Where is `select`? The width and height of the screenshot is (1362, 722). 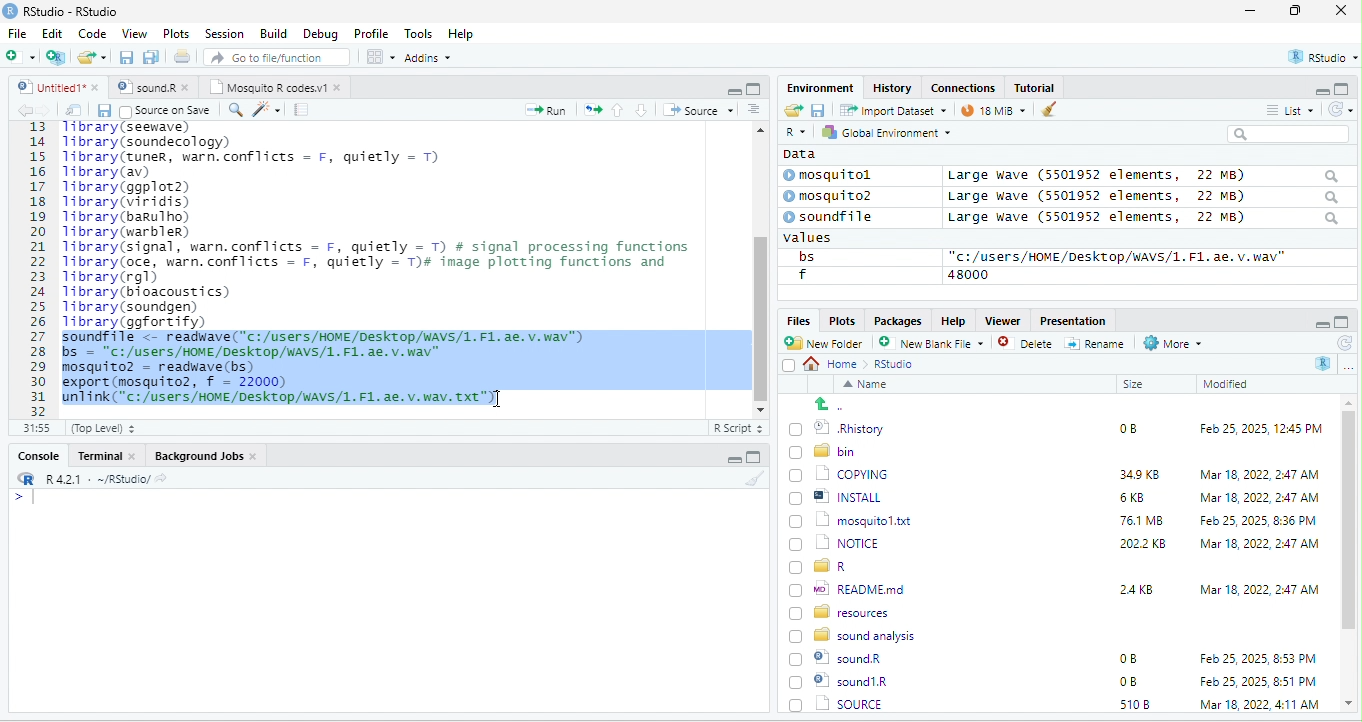
select is located at coordinates (791, 369).